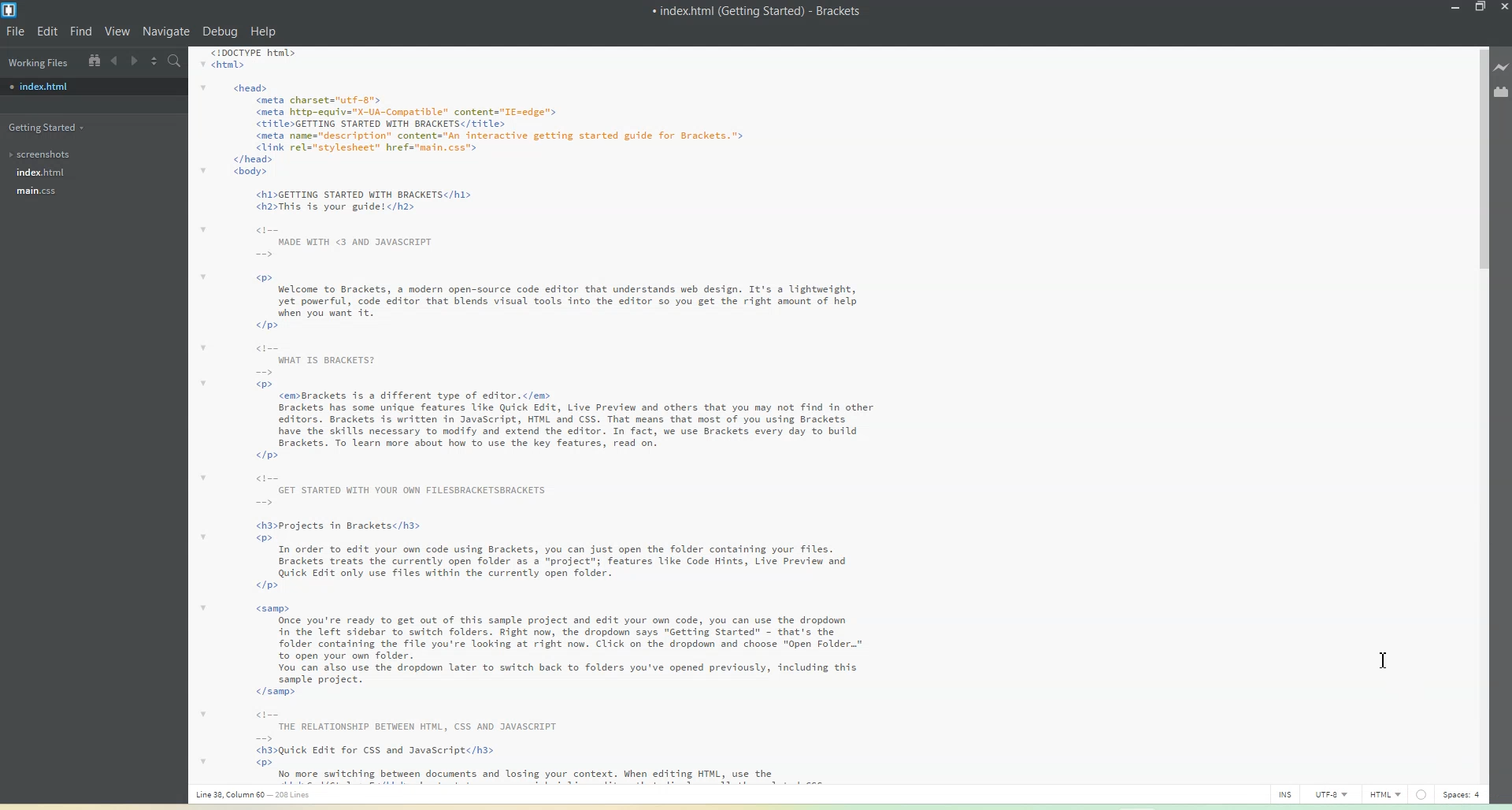  I want to click on Find in Files, so click(175, 61).